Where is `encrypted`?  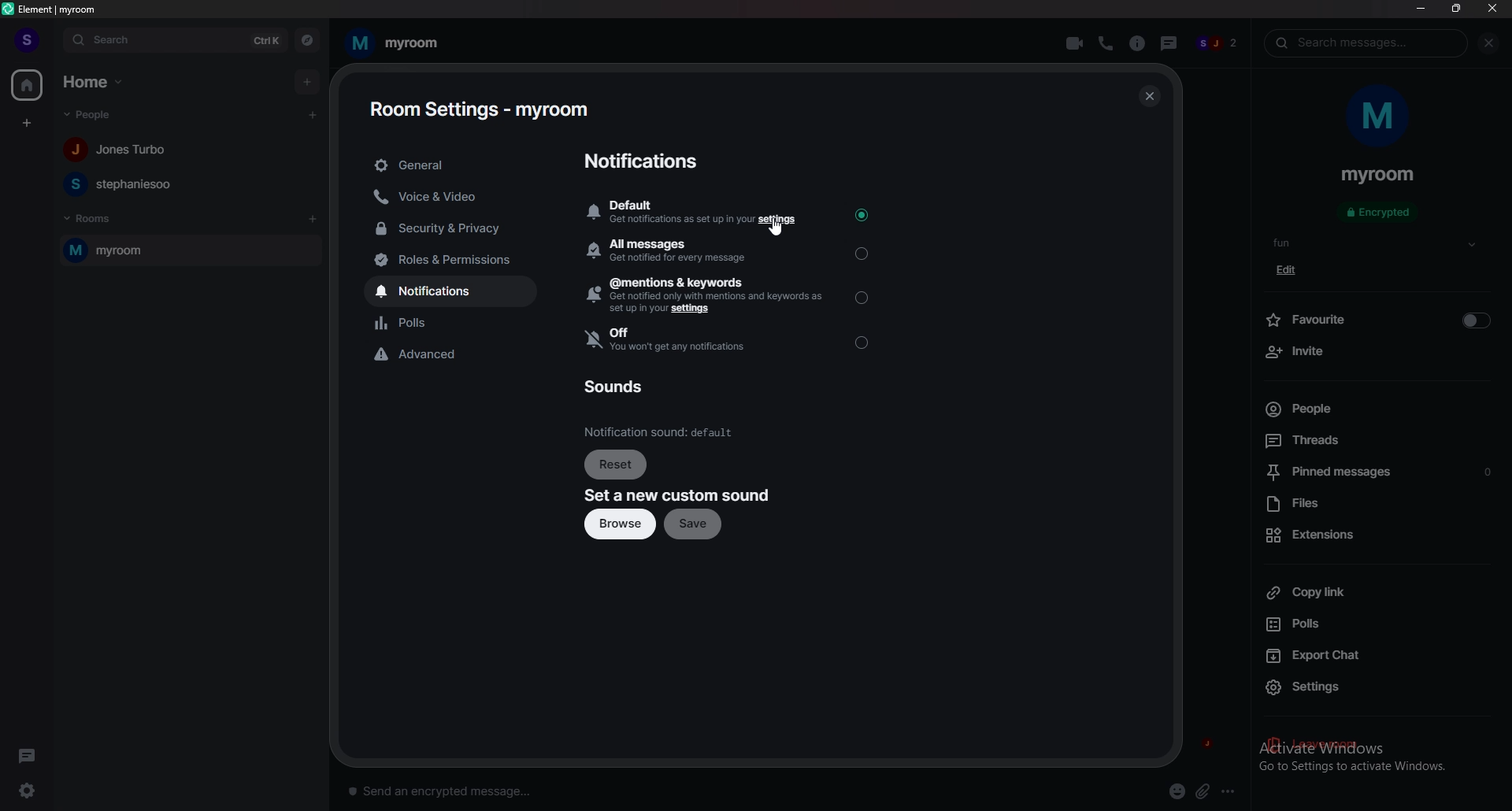 encrypted is located at coordinates (1381, 213).